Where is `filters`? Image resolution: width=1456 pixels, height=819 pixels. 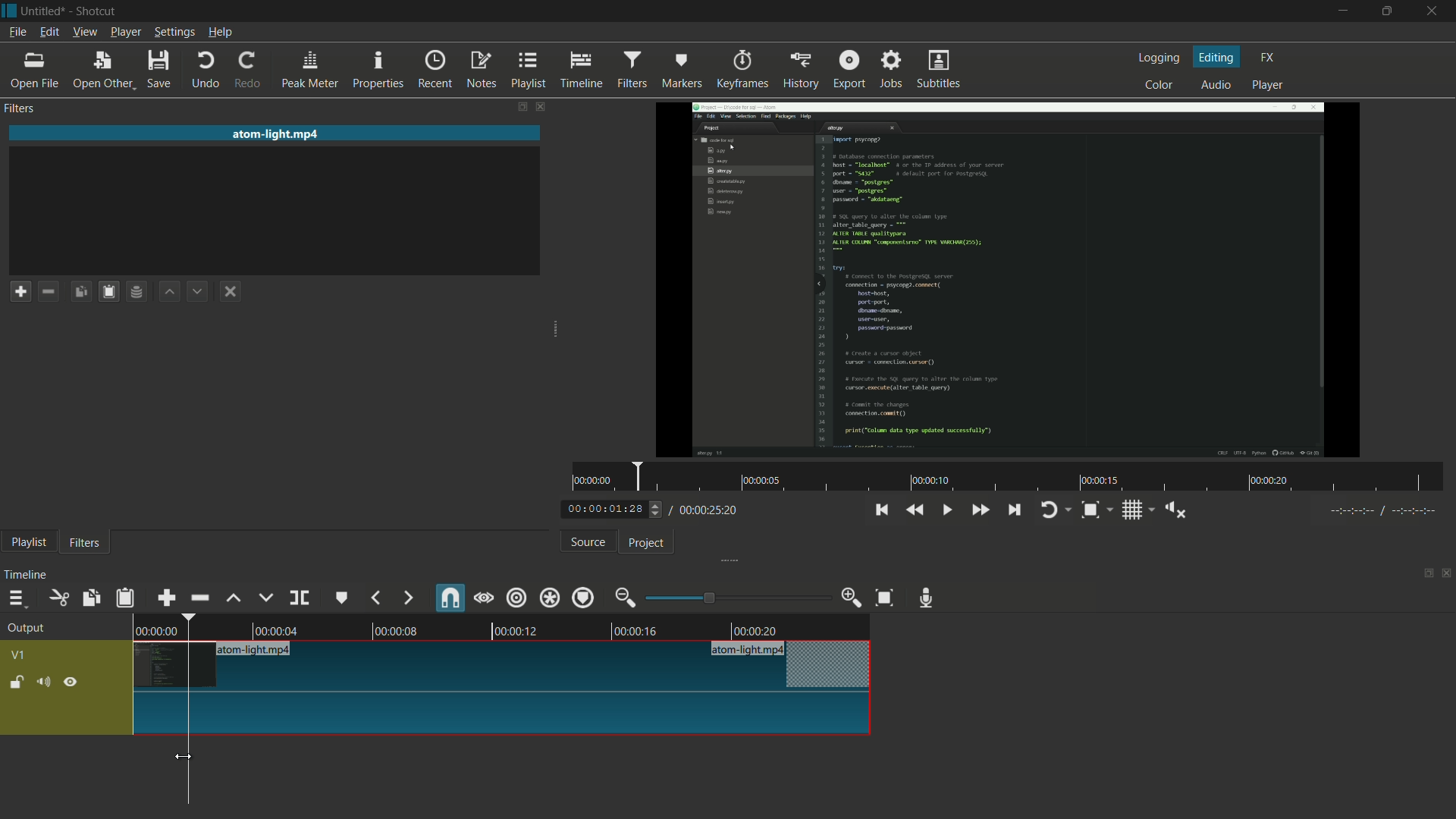 filters is located at coordinates (22, 109).